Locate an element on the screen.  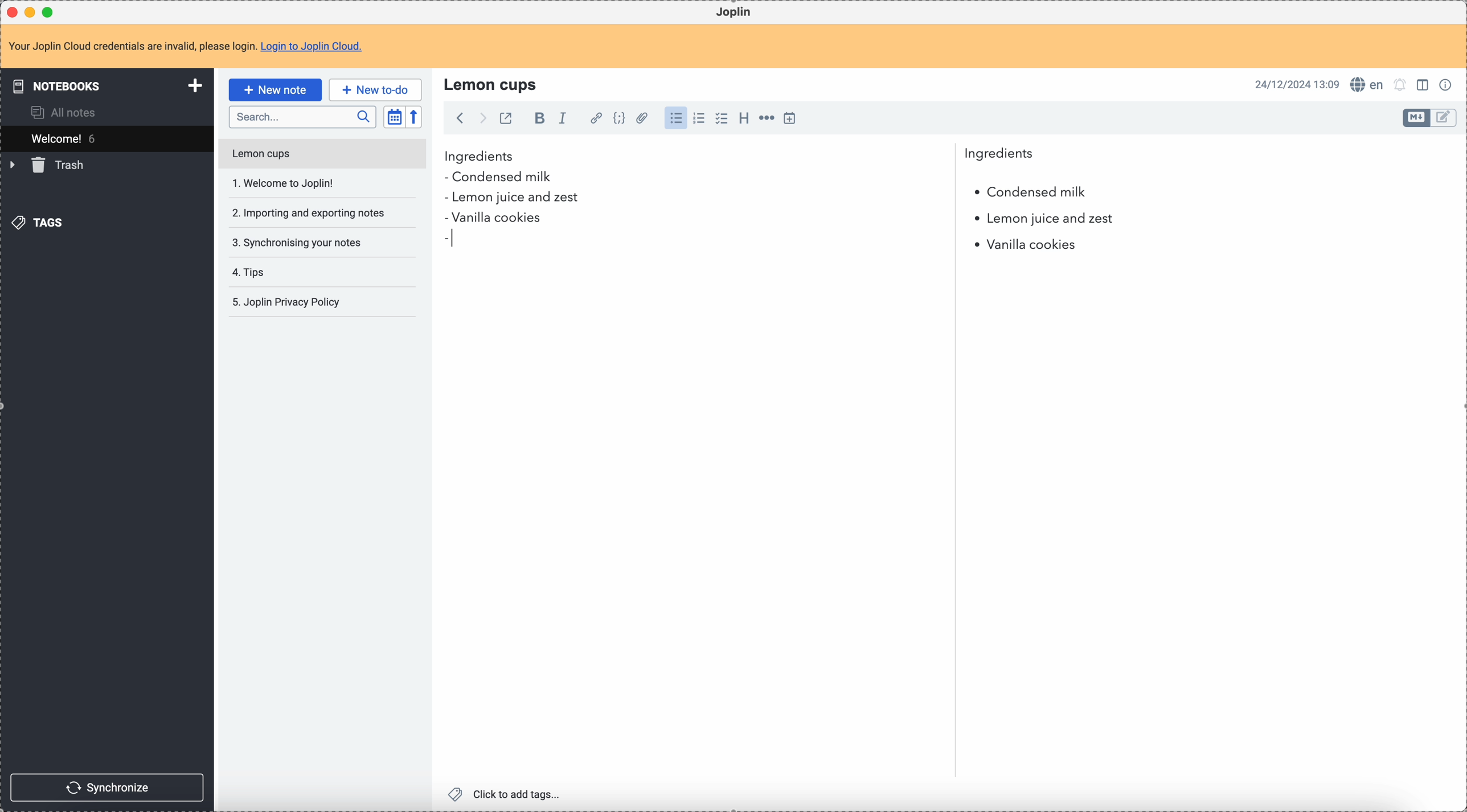
note is located at coordinates (192, 47).